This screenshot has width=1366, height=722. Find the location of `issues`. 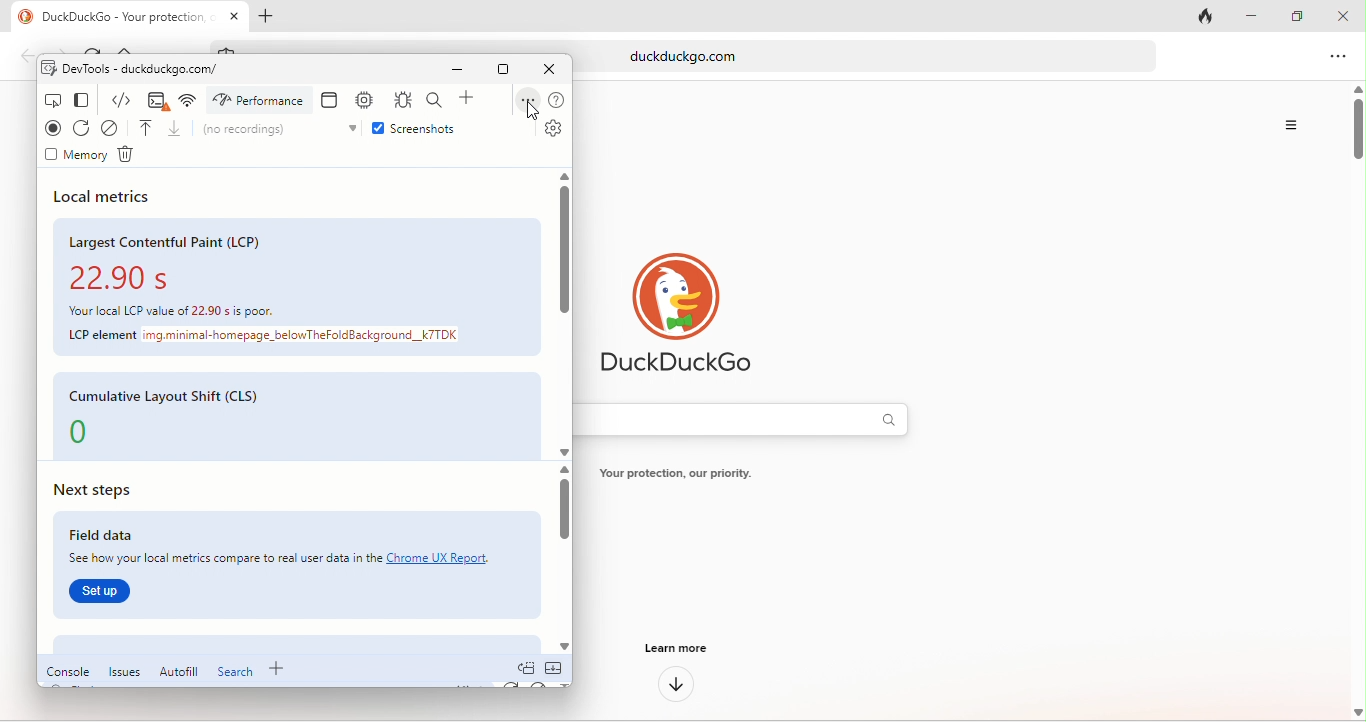

issues is located at coordinates (124, 667).